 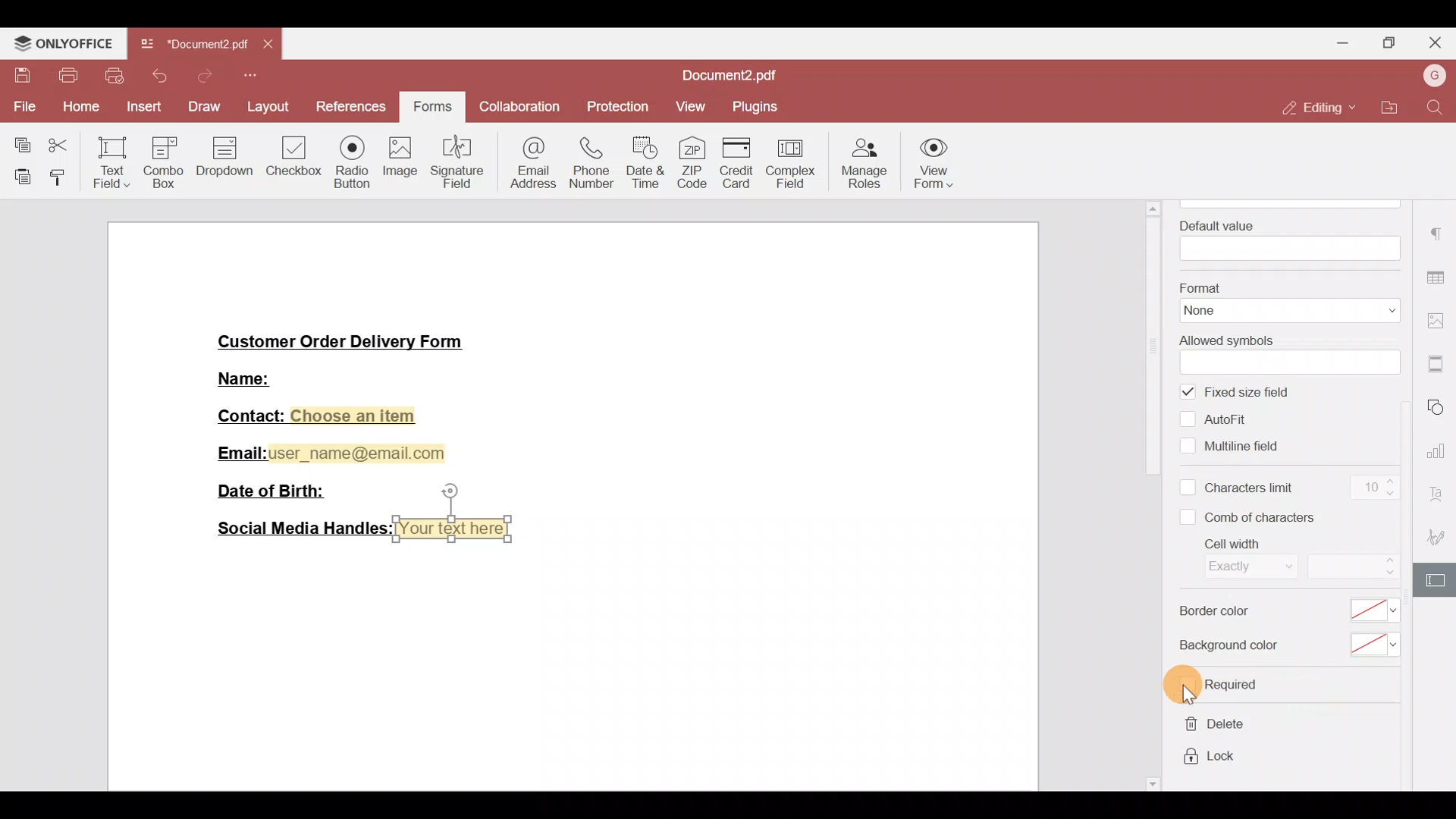 I want to click on Checkbox, so click(x=292, y=155).